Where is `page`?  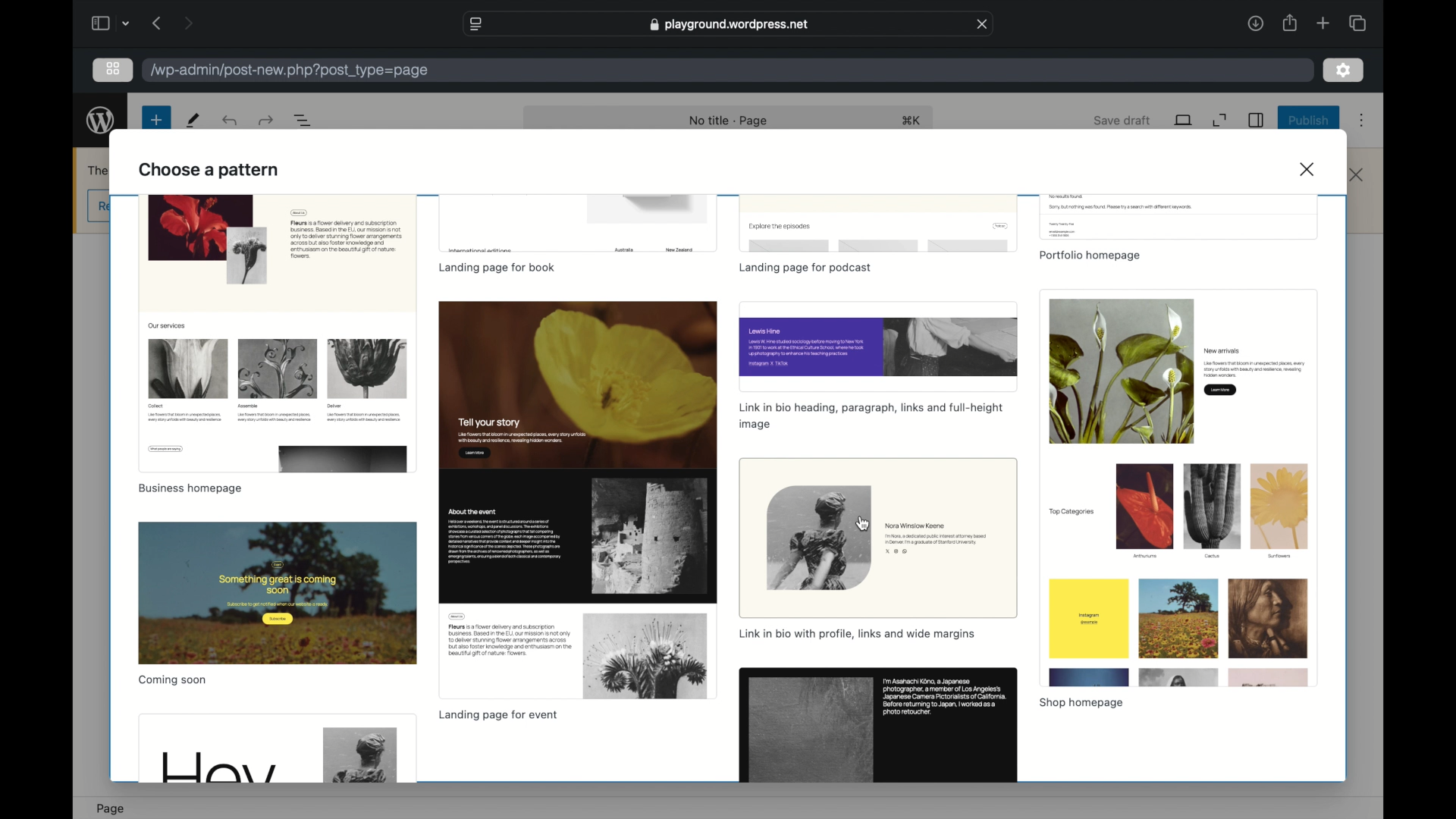
page is located at coordinates (111, 809).